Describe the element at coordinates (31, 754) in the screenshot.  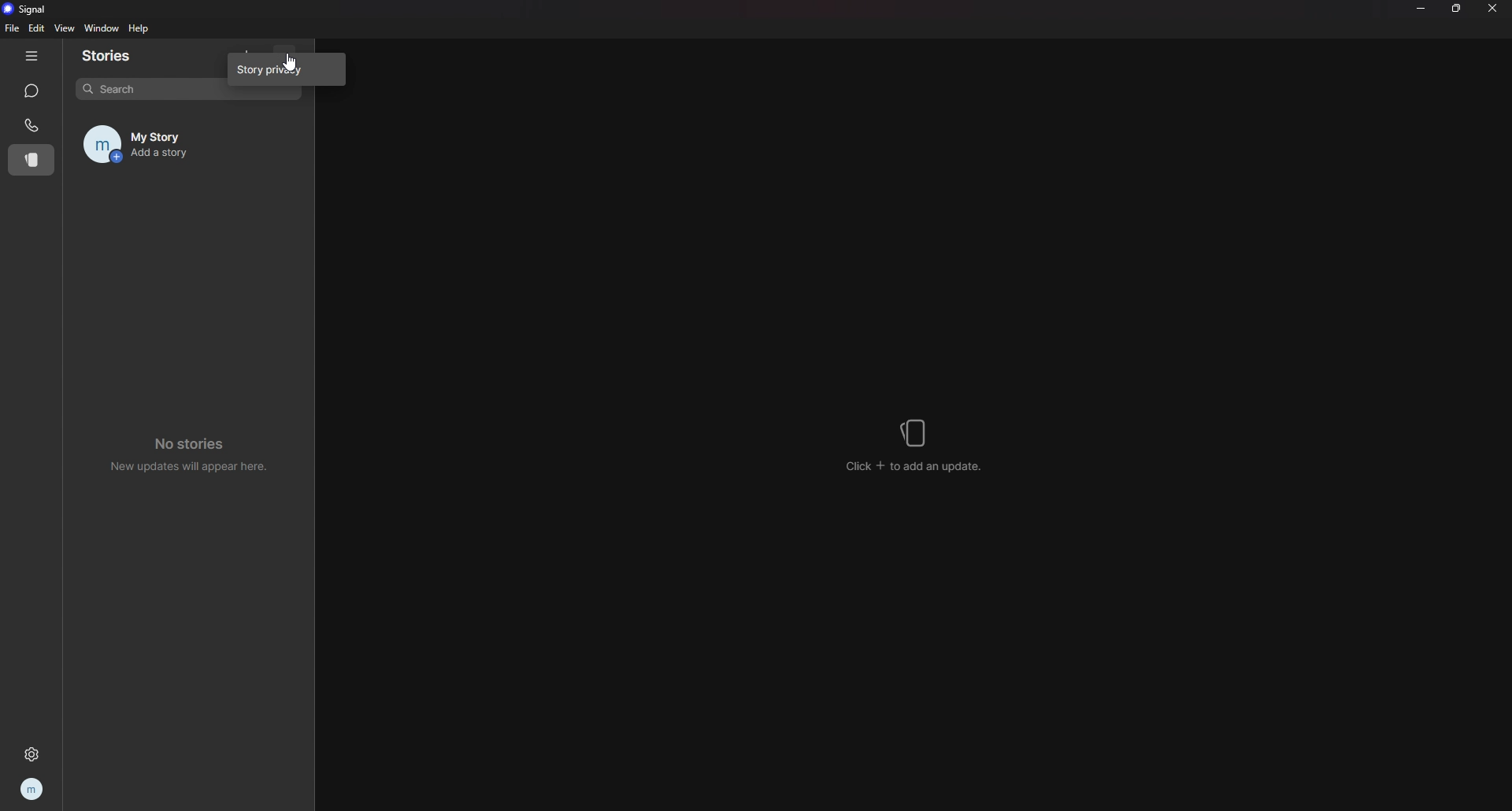
I see `settings` at that location.